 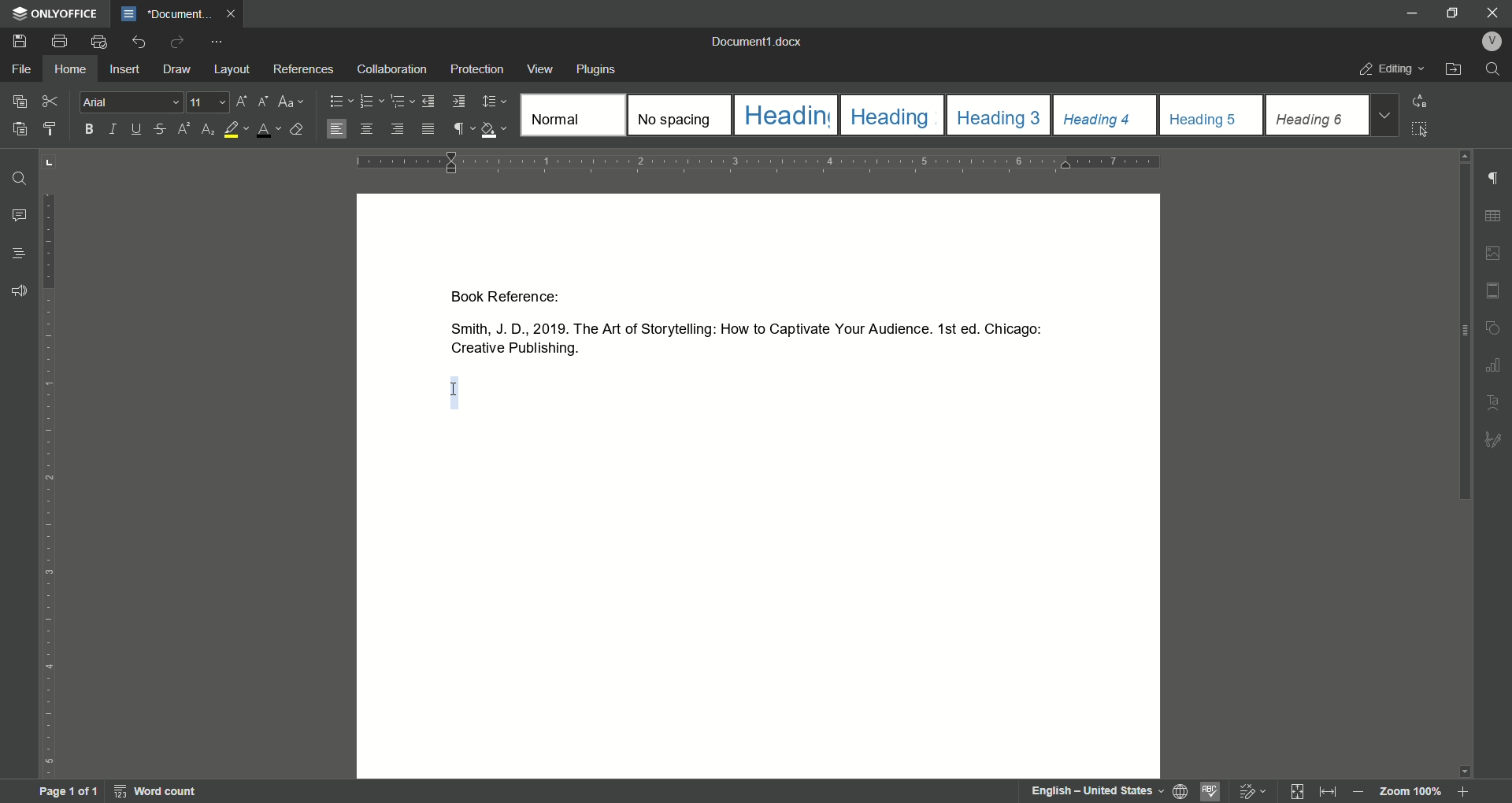 I want to click on insert, so click(x=126, y=68).